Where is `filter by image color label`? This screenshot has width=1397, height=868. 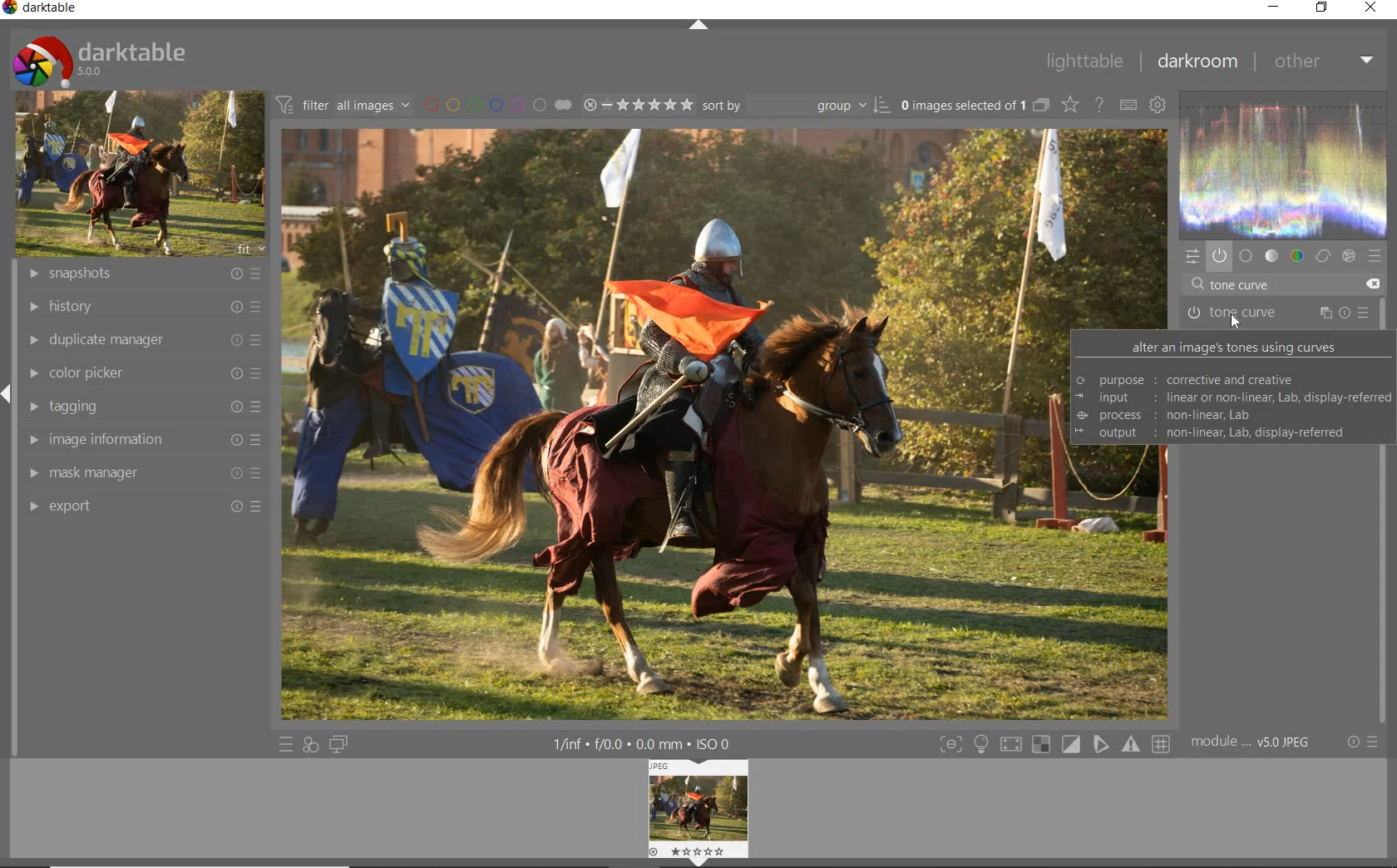
filter by image color label is located at coordinates (496, 104).